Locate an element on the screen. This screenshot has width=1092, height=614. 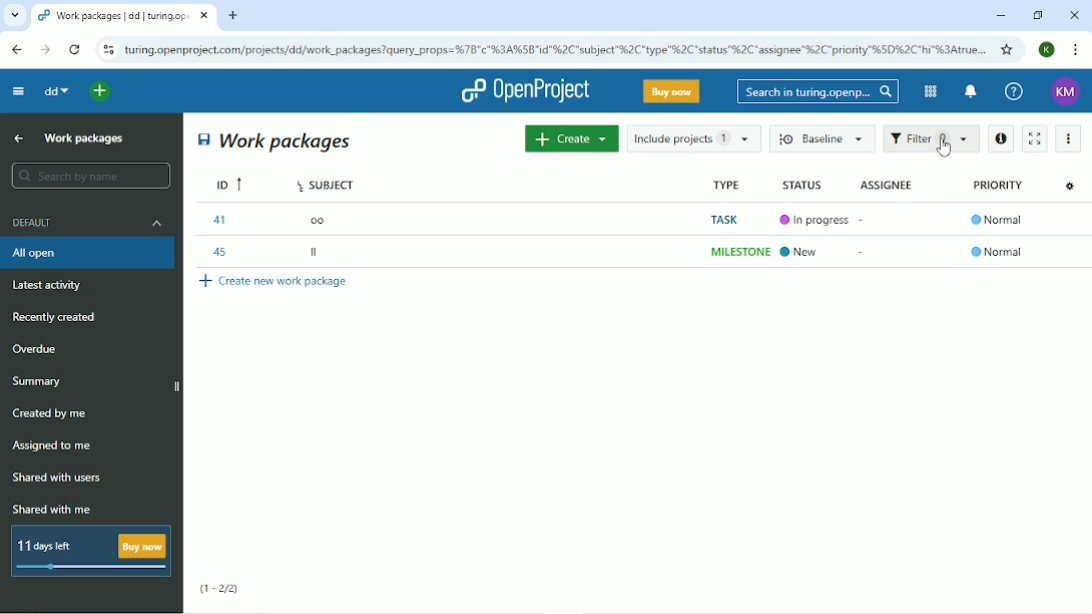
View site information is located at coordinates (108, 50).